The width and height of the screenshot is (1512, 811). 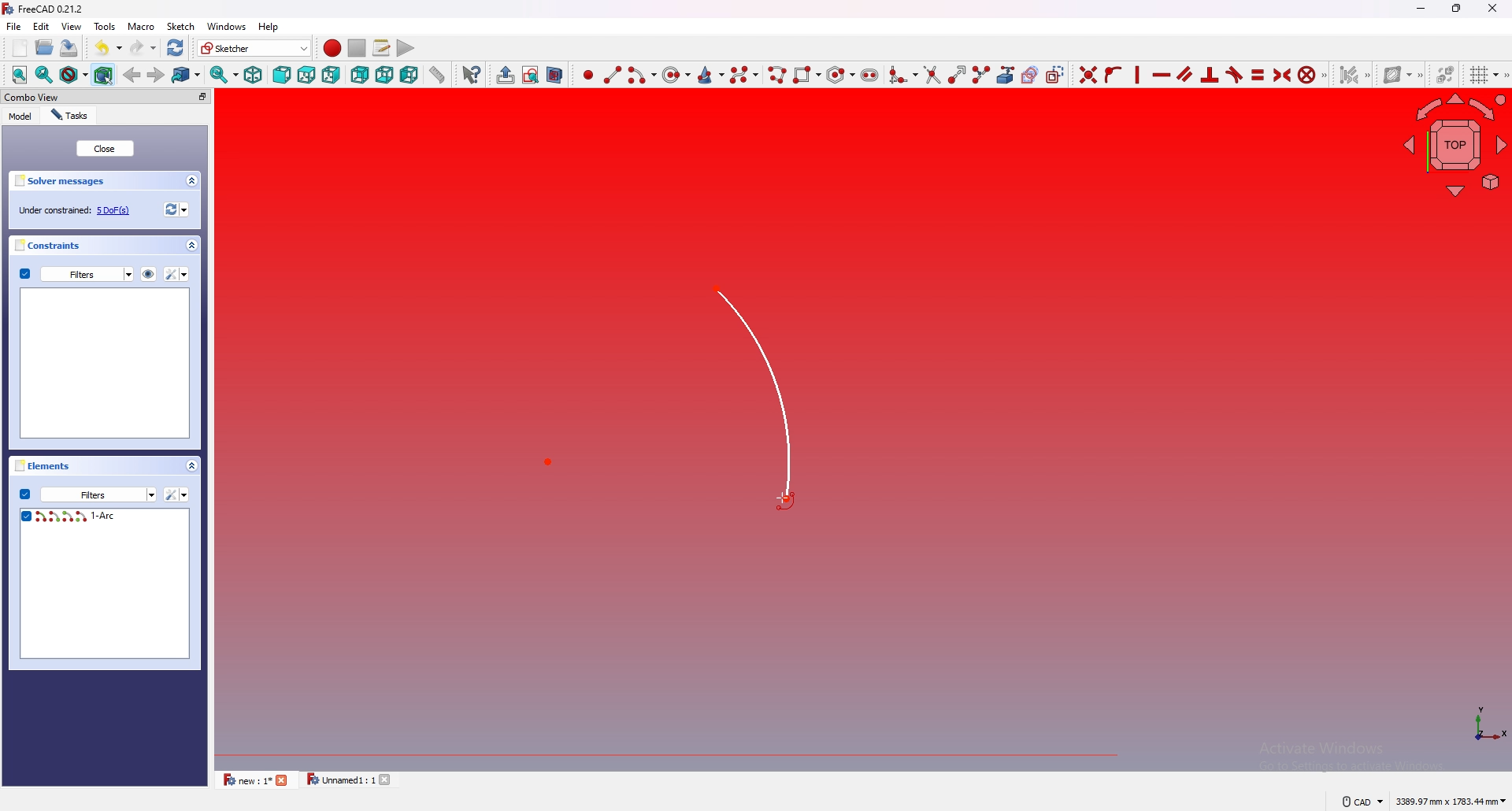 What do you see at coordinates (776, 75) in the screenshot?
I see `create poly line` at bounding box center [776, 75].